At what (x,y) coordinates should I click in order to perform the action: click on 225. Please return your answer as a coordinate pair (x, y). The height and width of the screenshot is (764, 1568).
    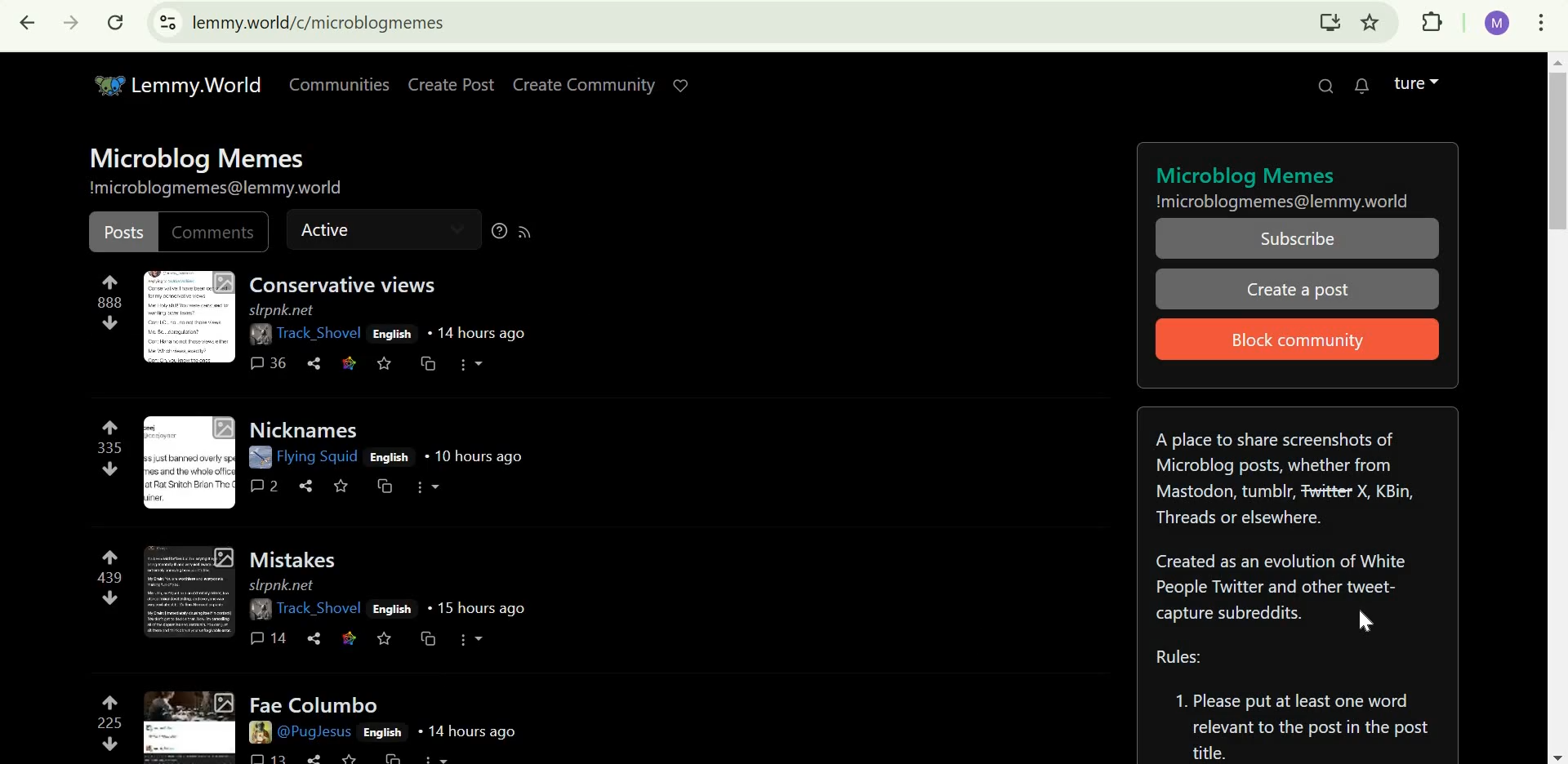
    Looking at the image, I should click on (106, 722).